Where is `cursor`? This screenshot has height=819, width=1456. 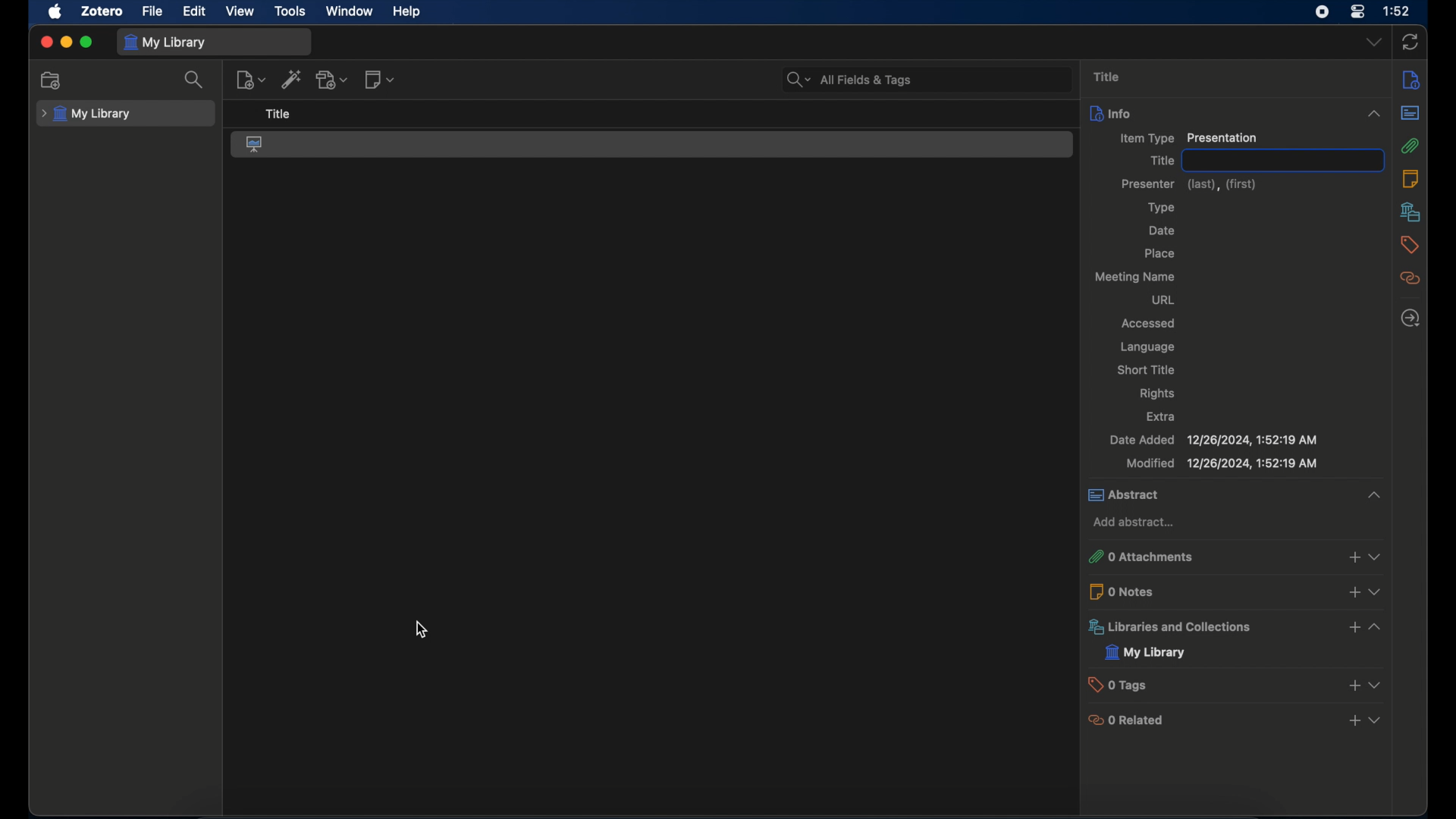
cursor is located at coordinates (422, 629).